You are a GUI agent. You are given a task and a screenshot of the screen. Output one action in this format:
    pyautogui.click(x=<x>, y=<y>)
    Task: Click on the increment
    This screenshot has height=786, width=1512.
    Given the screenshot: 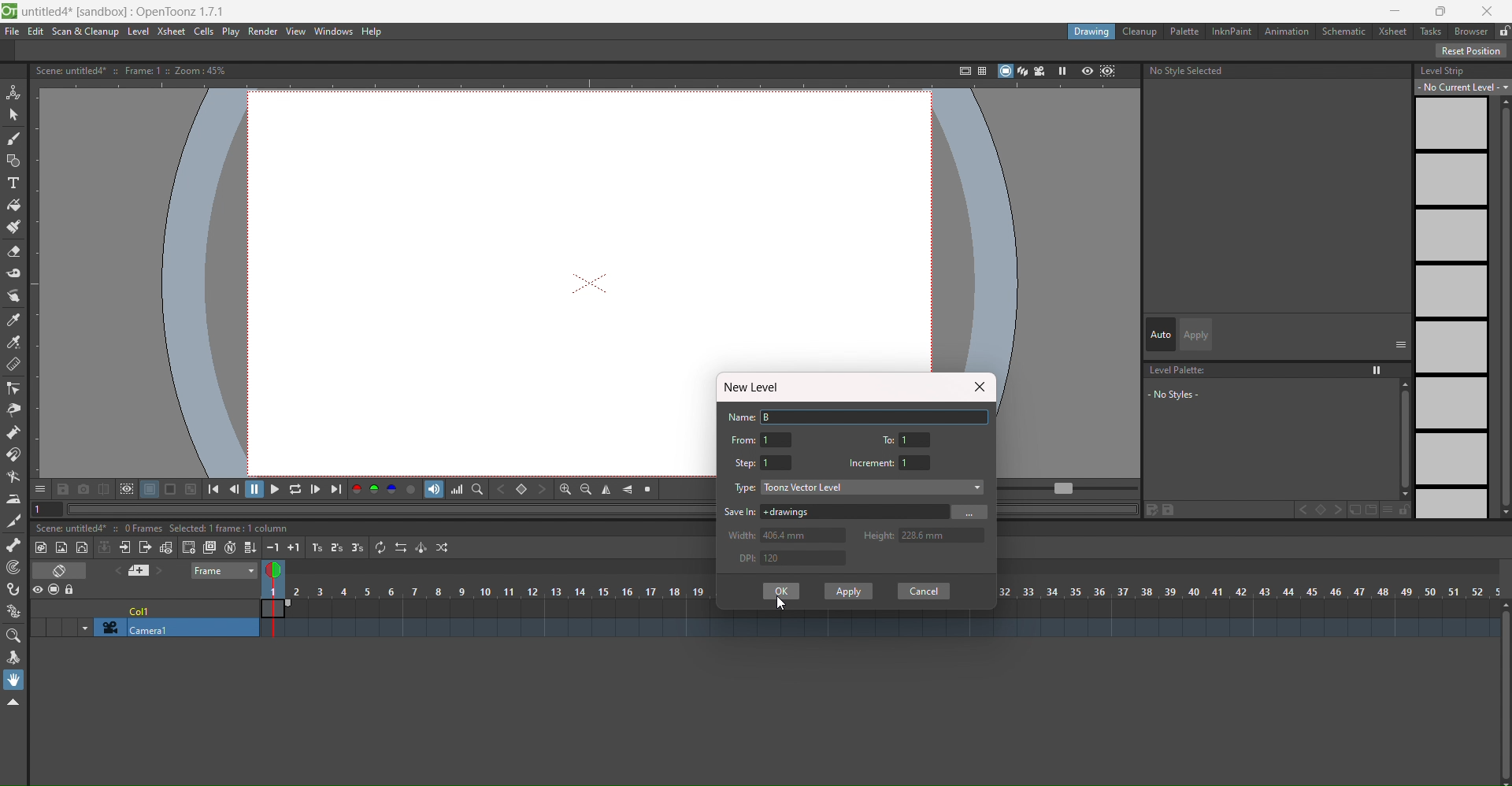 What is the action you would take?
    pyautogui.click(x=871, y=463)
    